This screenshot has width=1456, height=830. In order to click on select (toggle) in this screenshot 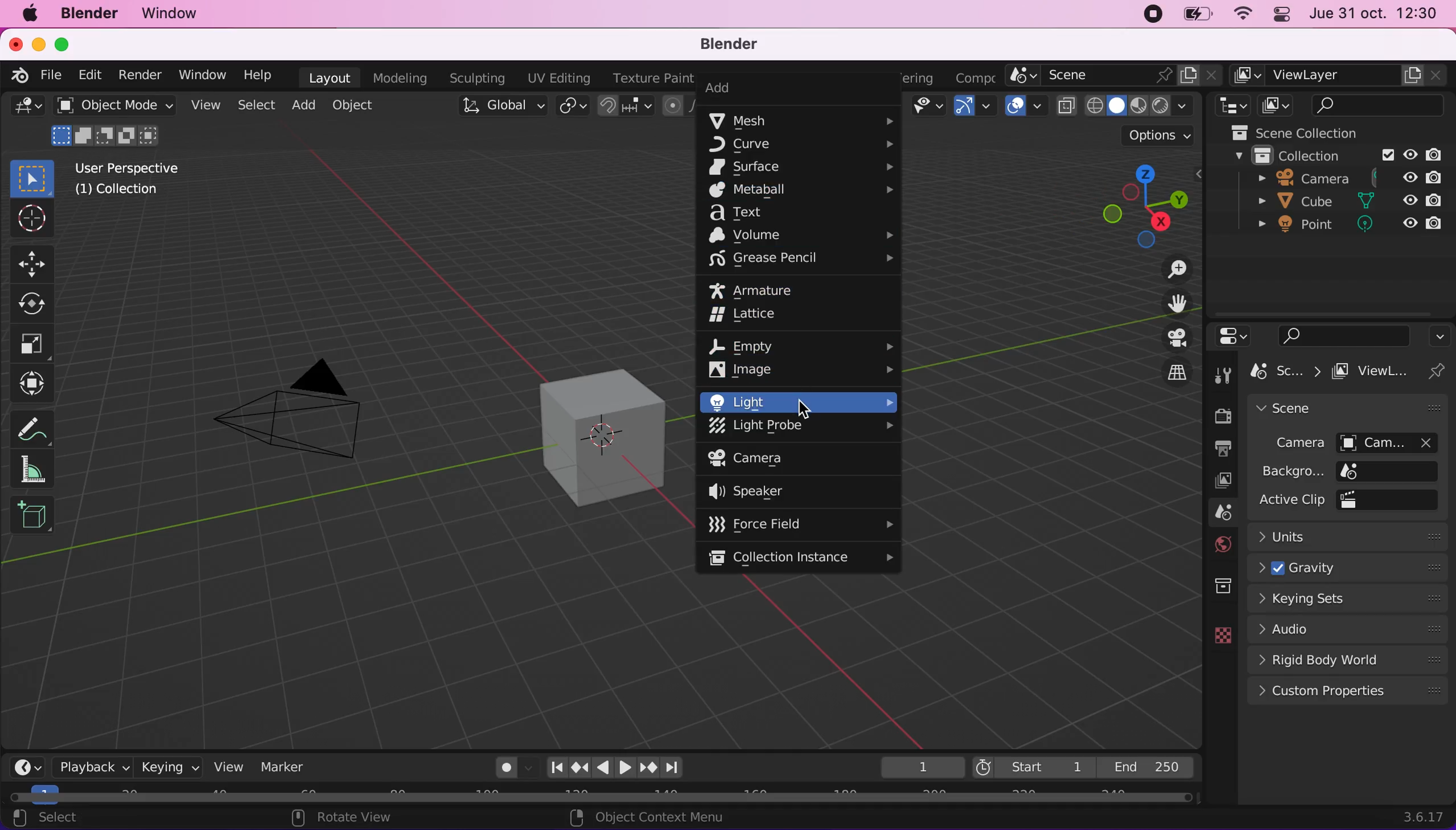, I will do `click(105, 817)`.